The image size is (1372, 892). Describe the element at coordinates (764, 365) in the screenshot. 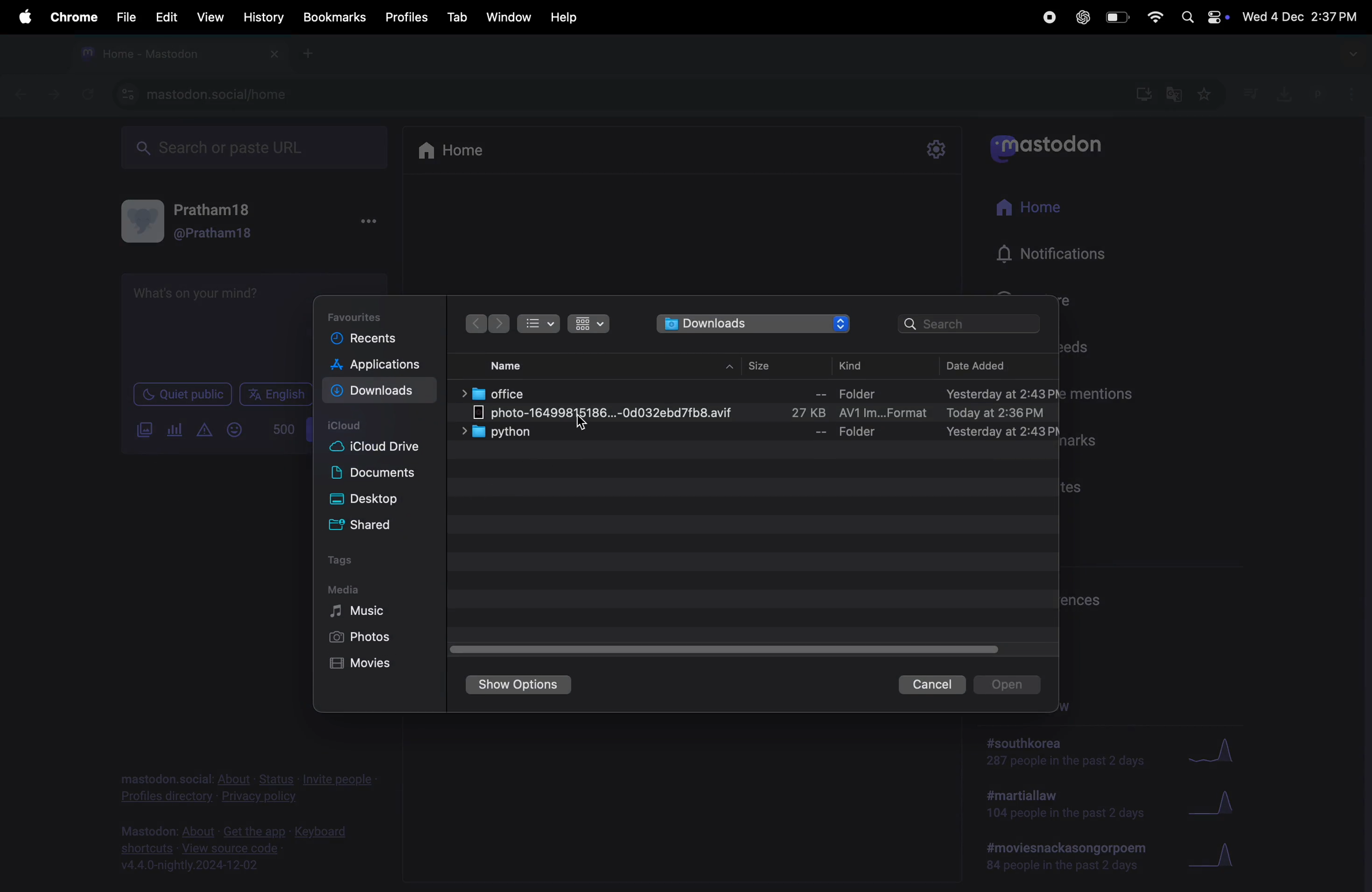

I see `size` at that location.